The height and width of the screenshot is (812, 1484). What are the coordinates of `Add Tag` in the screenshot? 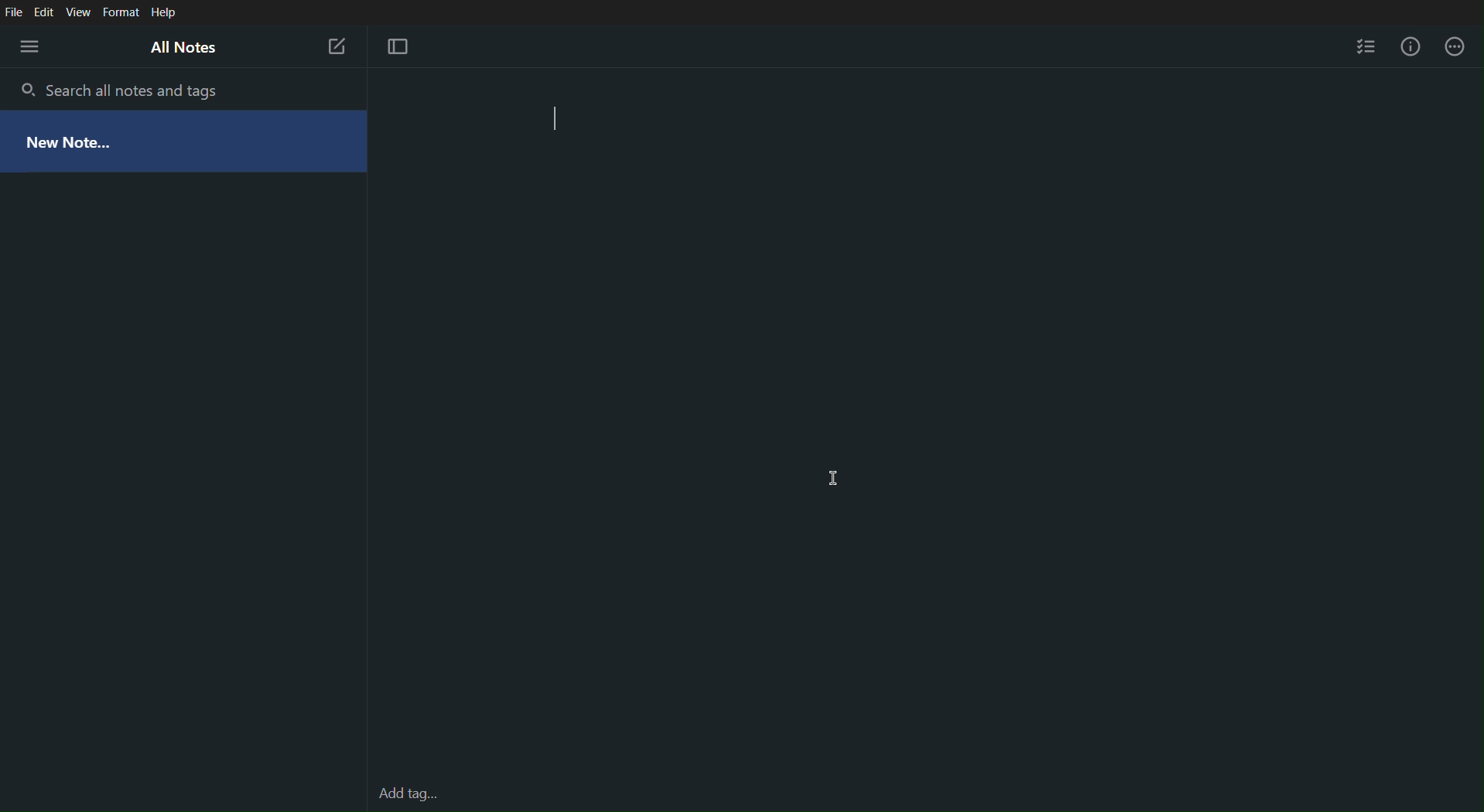 It's located at (407, 795).